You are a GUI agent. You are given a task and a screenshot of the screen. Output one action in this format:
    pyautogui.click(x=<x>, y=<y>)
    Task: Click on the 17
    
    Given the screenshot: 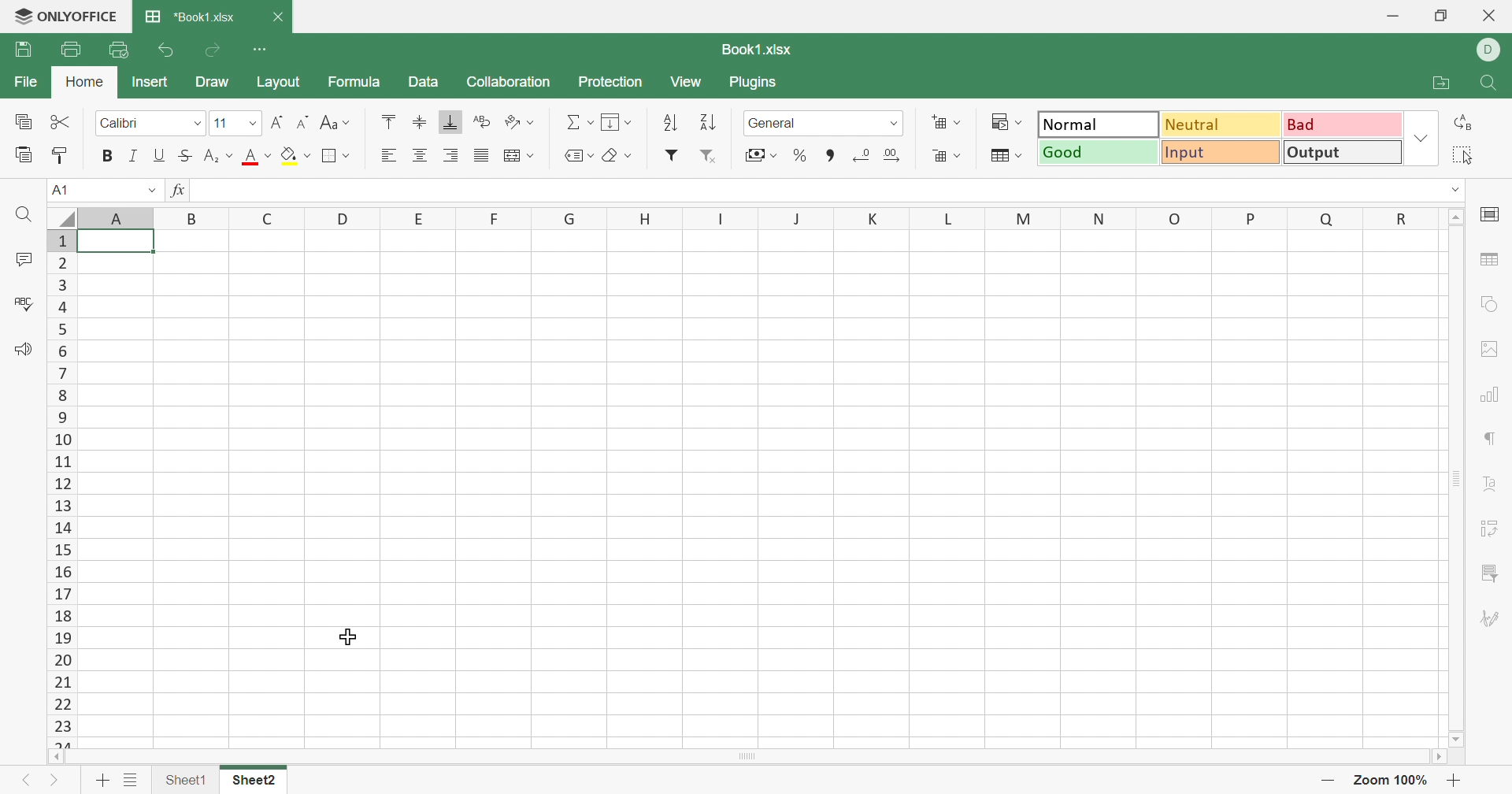 What is the action you would take?
    pyautogui.click(x=63, y=596)
    